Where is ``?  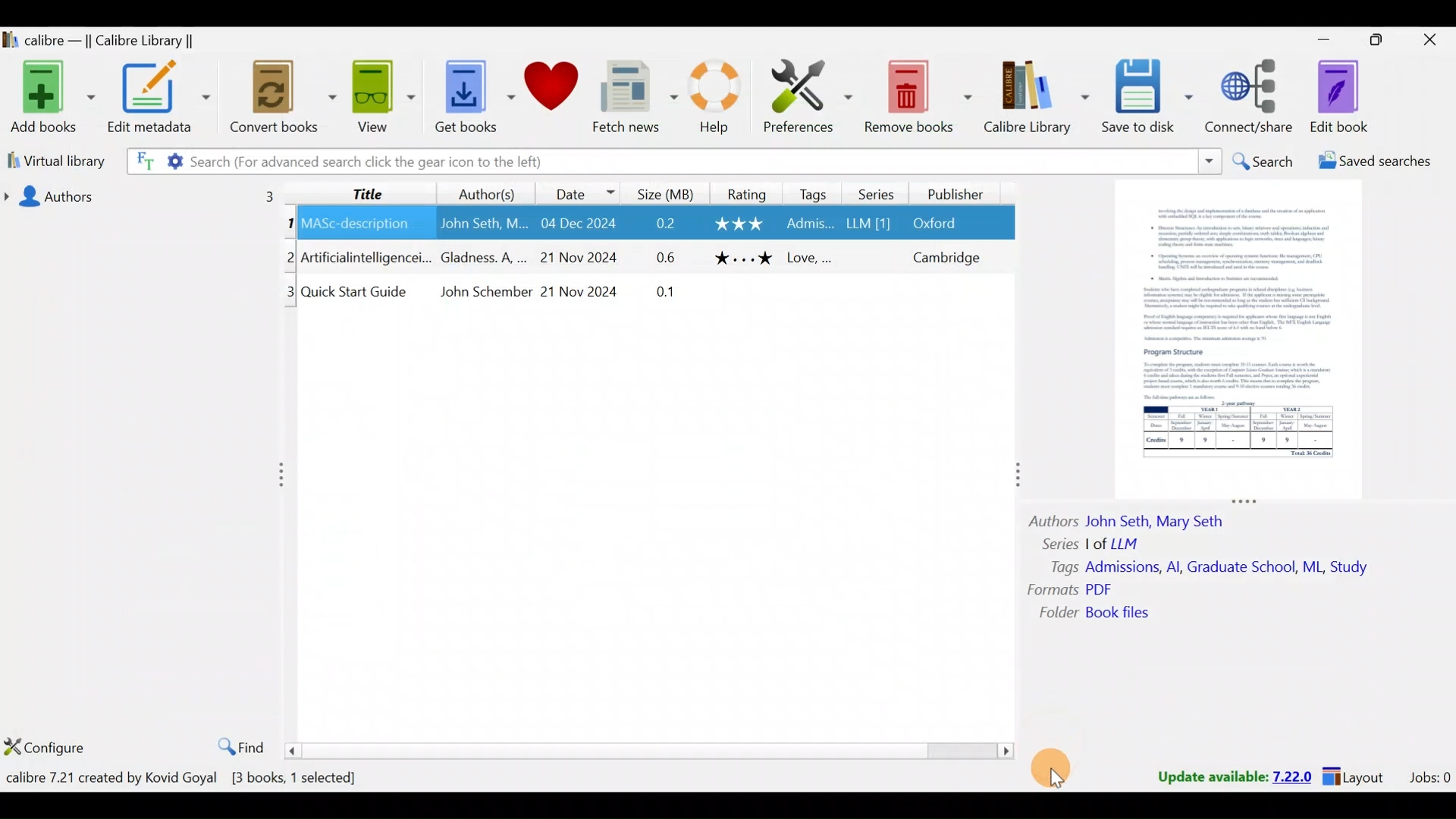  is located at coordinates (668, 256).